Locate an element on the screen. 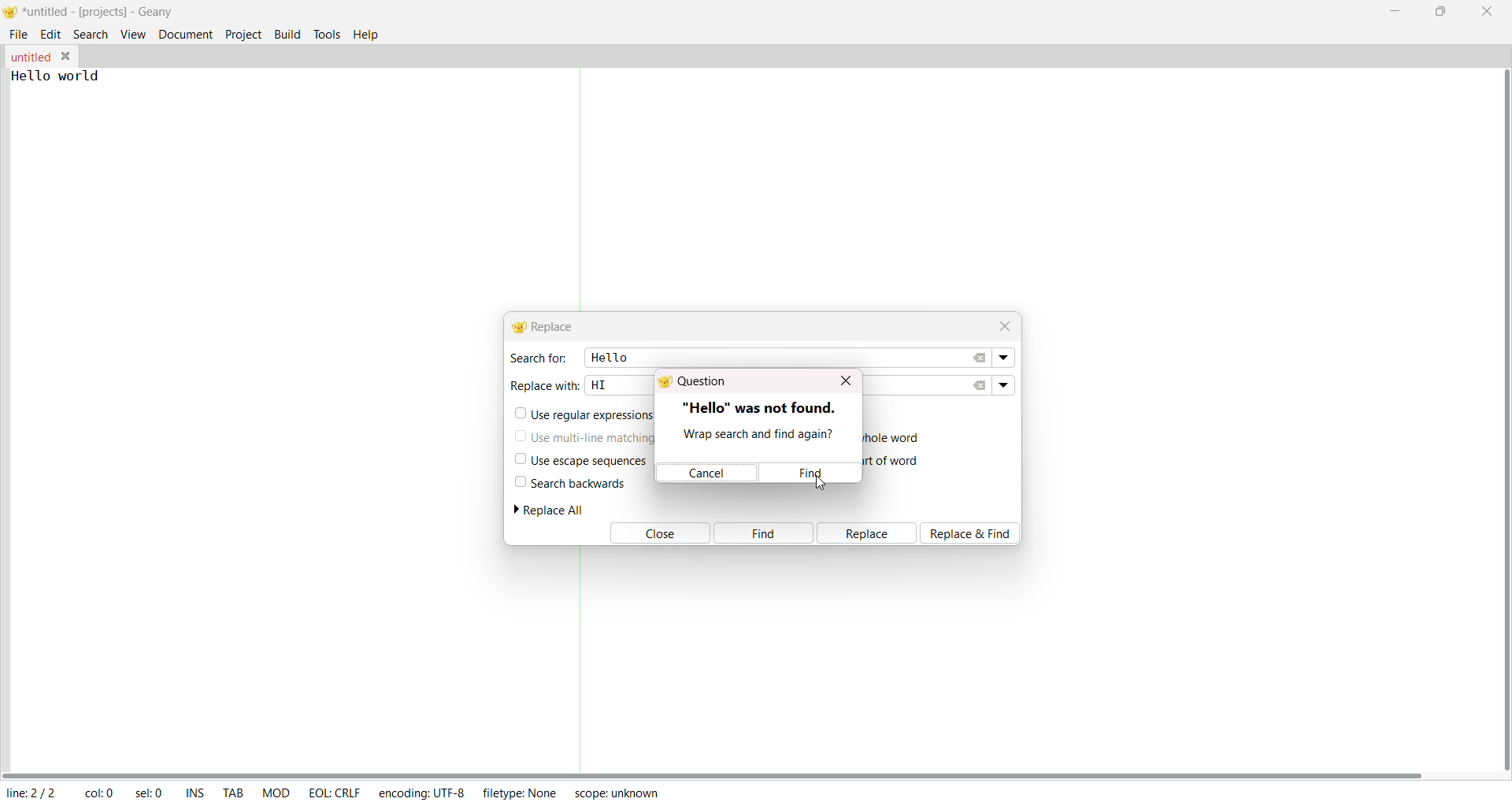  EOL: CRLF is located at coordinates (334, 790).